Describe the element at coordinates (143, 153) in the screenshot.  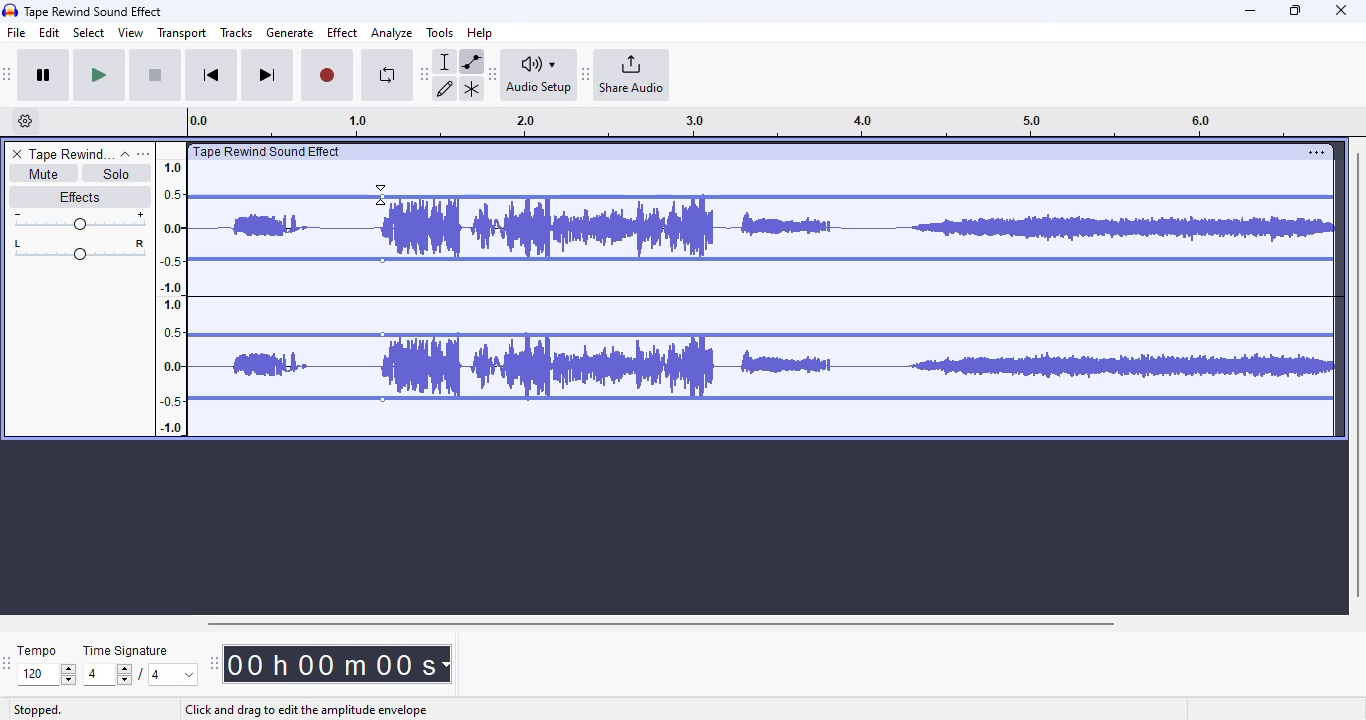
I see `open menu` at that location.